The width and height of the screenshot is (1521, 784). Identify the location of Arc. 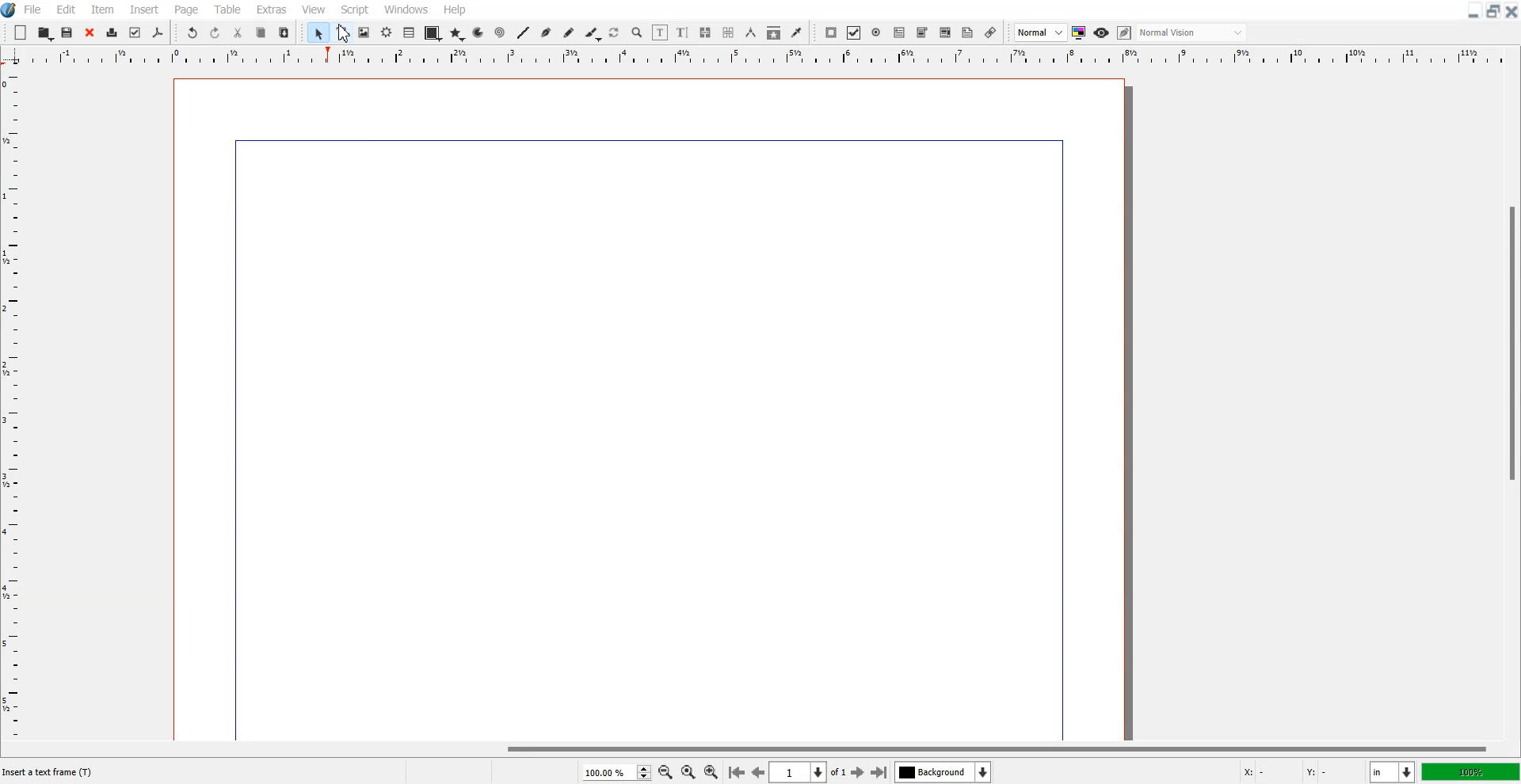
(479, 32).